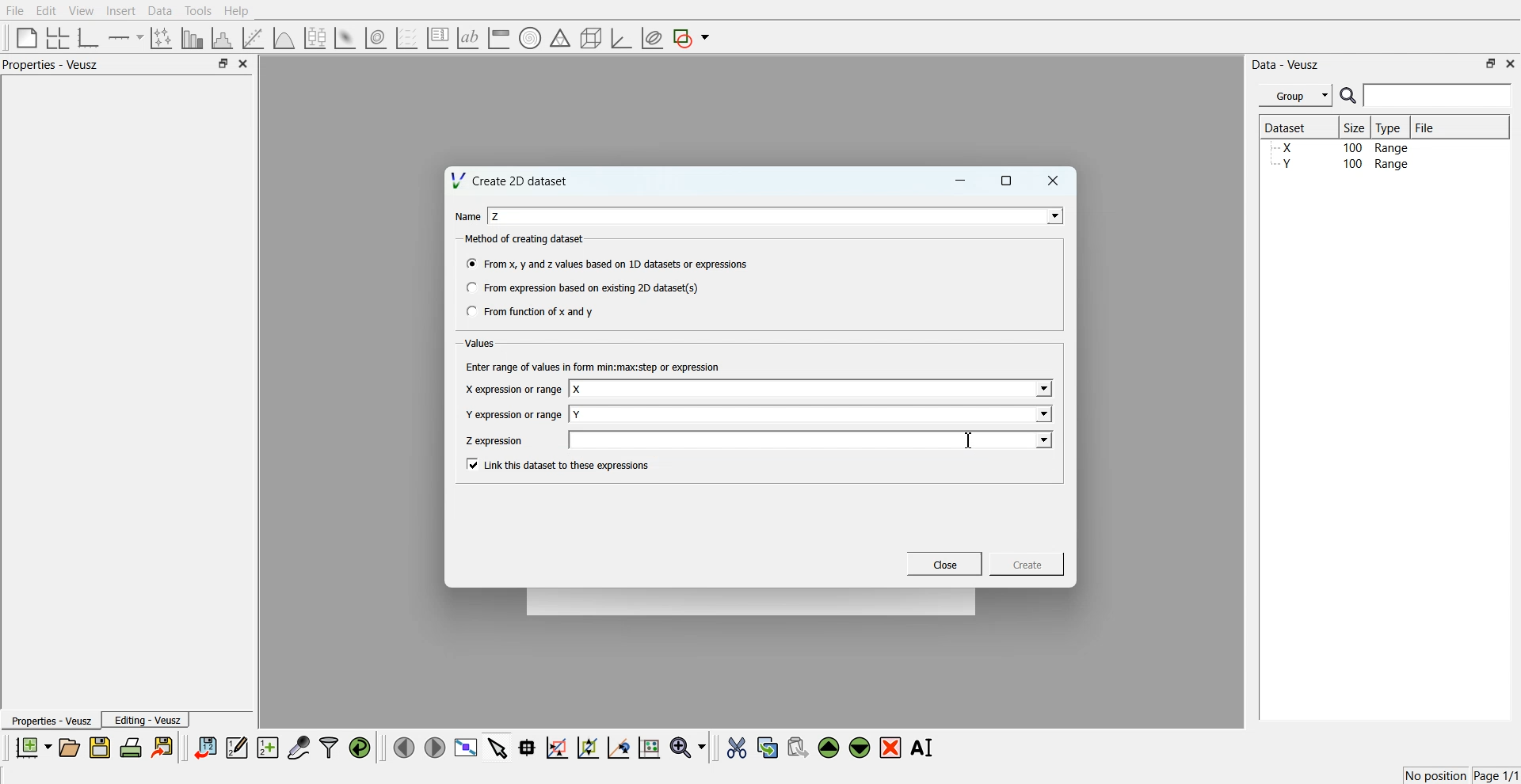  I want to click on View, so click(82, 11).